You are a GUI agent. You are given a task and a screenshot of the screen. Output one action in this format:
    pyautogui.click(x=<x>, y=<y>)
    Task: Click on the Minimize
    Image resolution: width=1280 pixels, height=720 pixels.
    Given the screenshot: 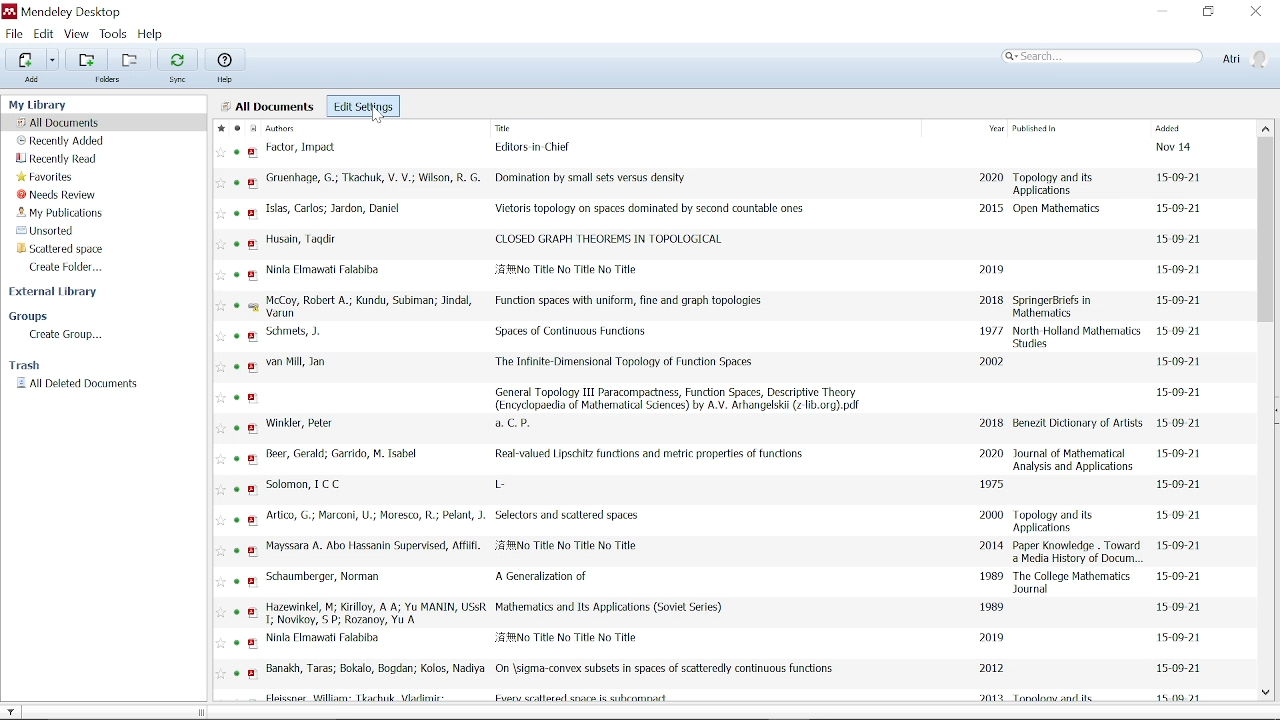 What is the action you would take?
    pyautogui.click(x=1164, y=12)
    